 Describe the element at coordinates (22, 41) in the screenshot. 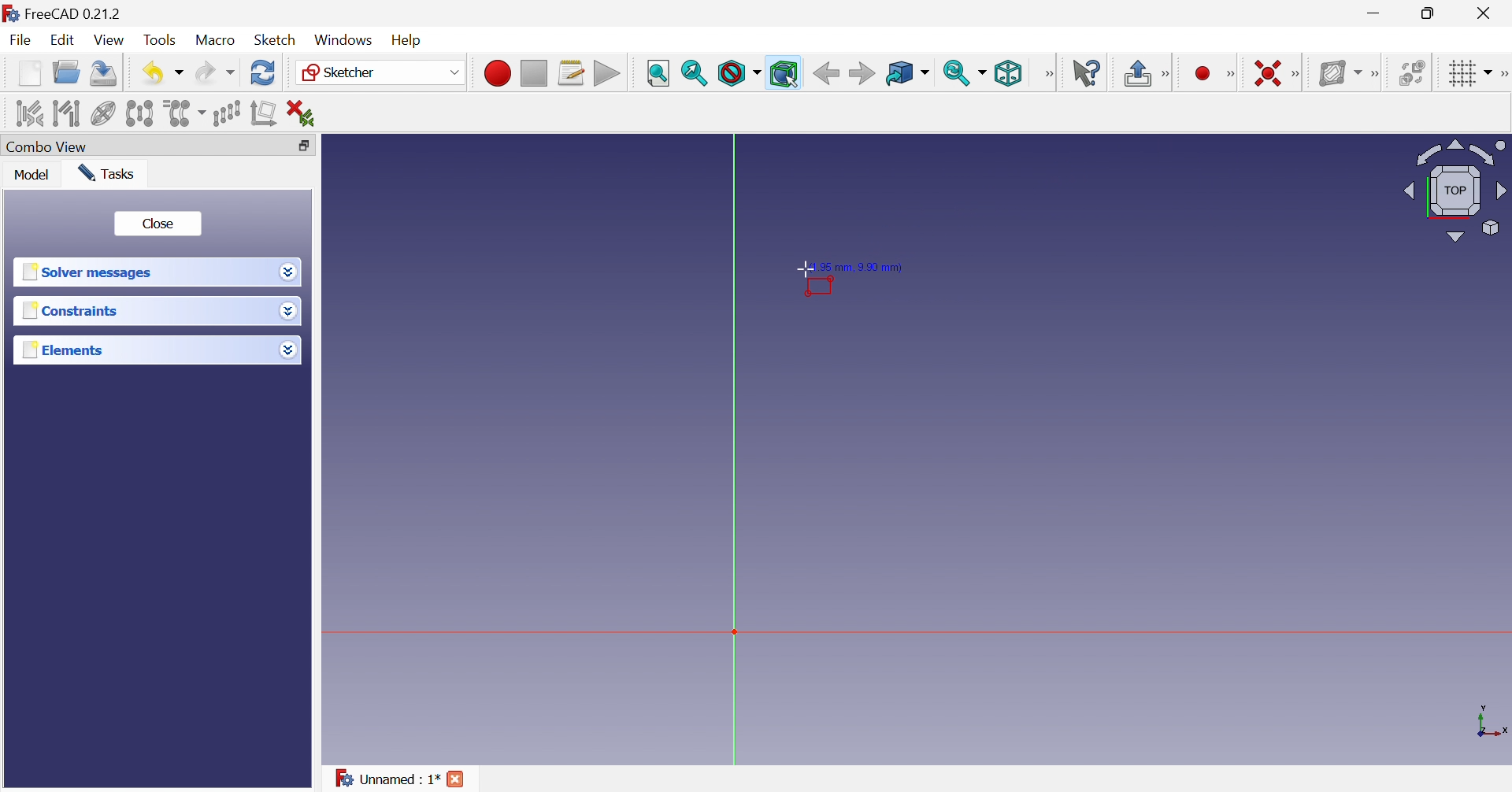

I see `File` at that location.